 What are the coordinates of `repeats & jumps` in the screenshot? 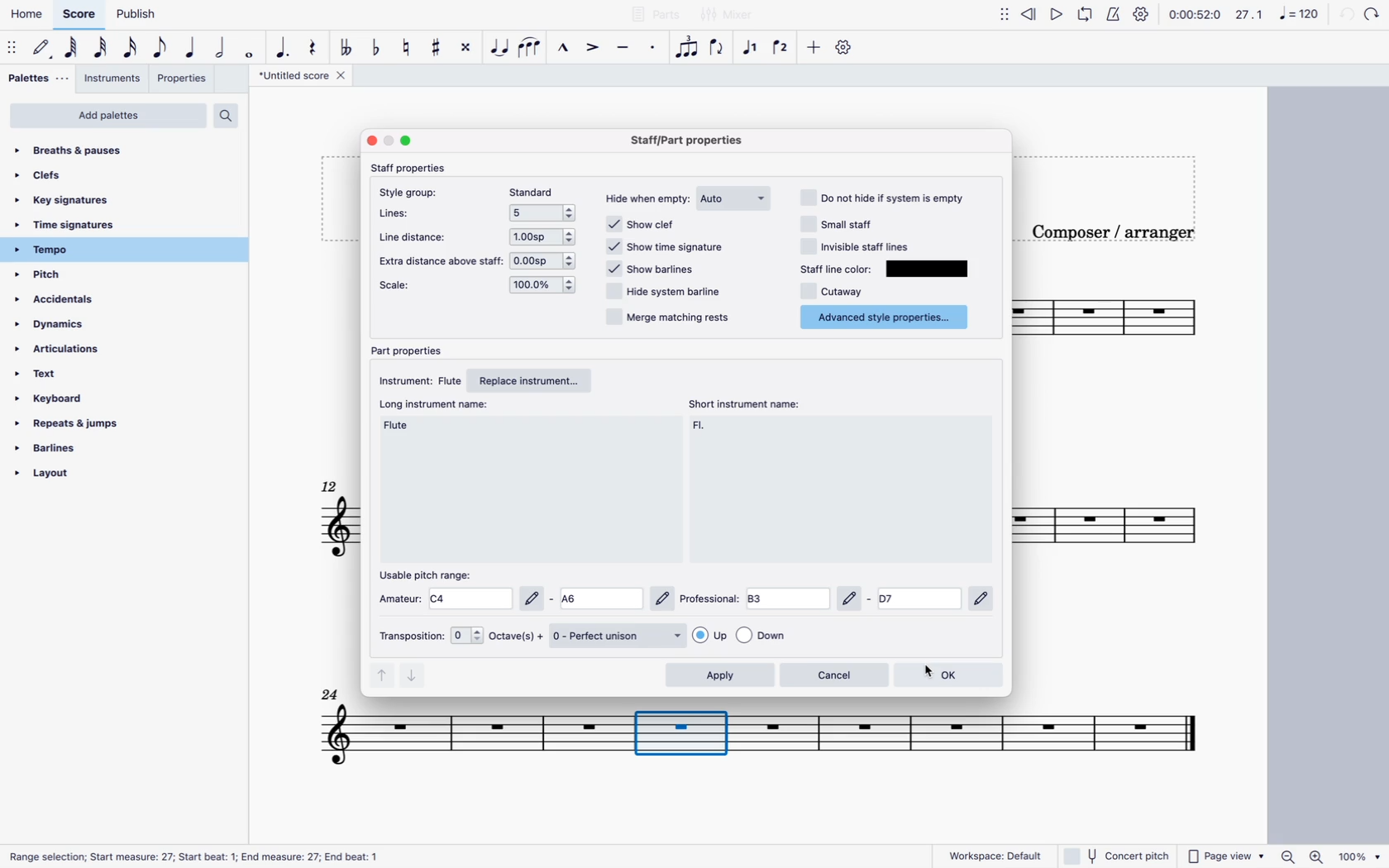 It's located at (94, 423).